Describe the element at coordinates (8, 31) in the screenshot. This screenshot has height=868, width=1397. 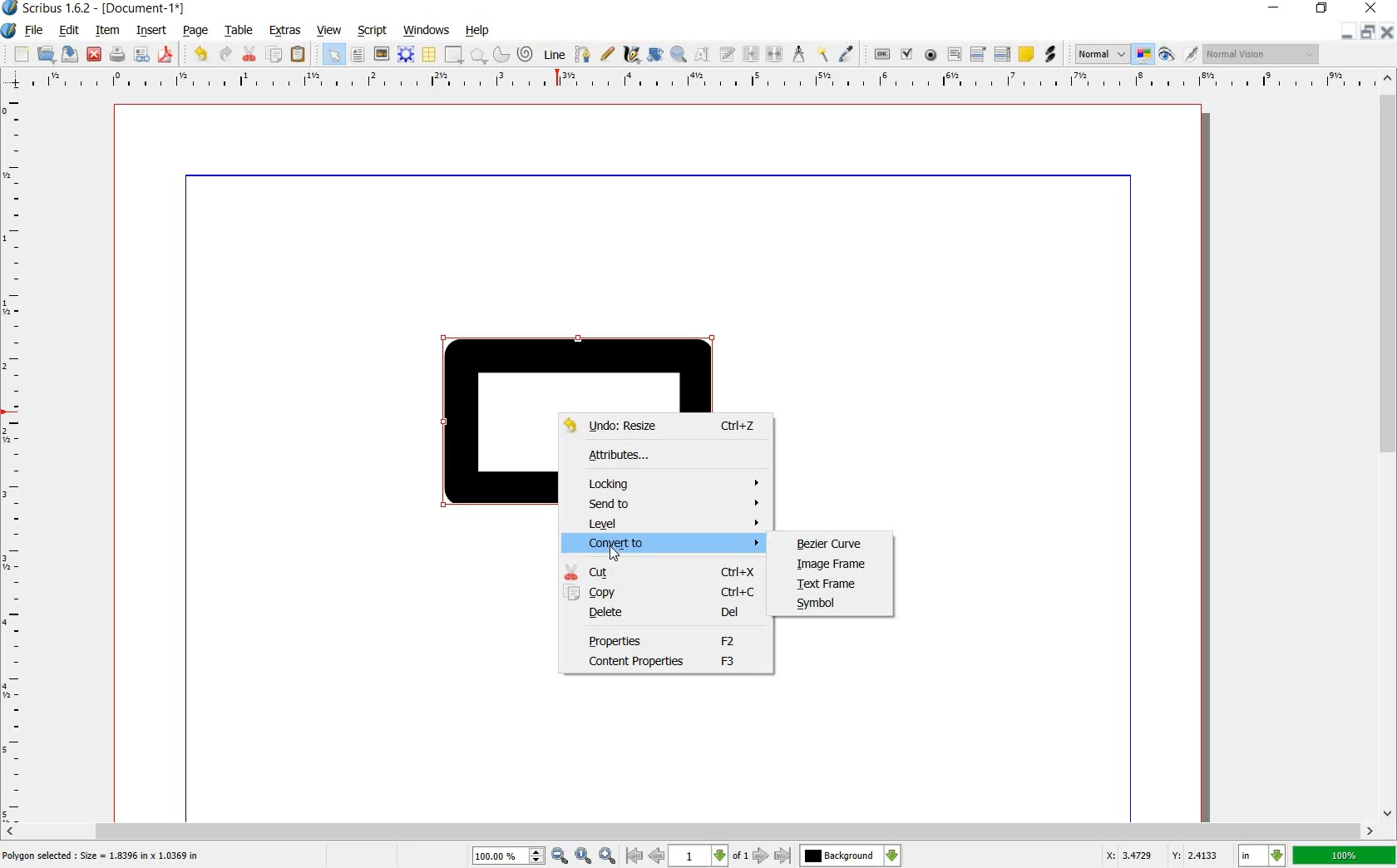
I see `system logo` at that location.